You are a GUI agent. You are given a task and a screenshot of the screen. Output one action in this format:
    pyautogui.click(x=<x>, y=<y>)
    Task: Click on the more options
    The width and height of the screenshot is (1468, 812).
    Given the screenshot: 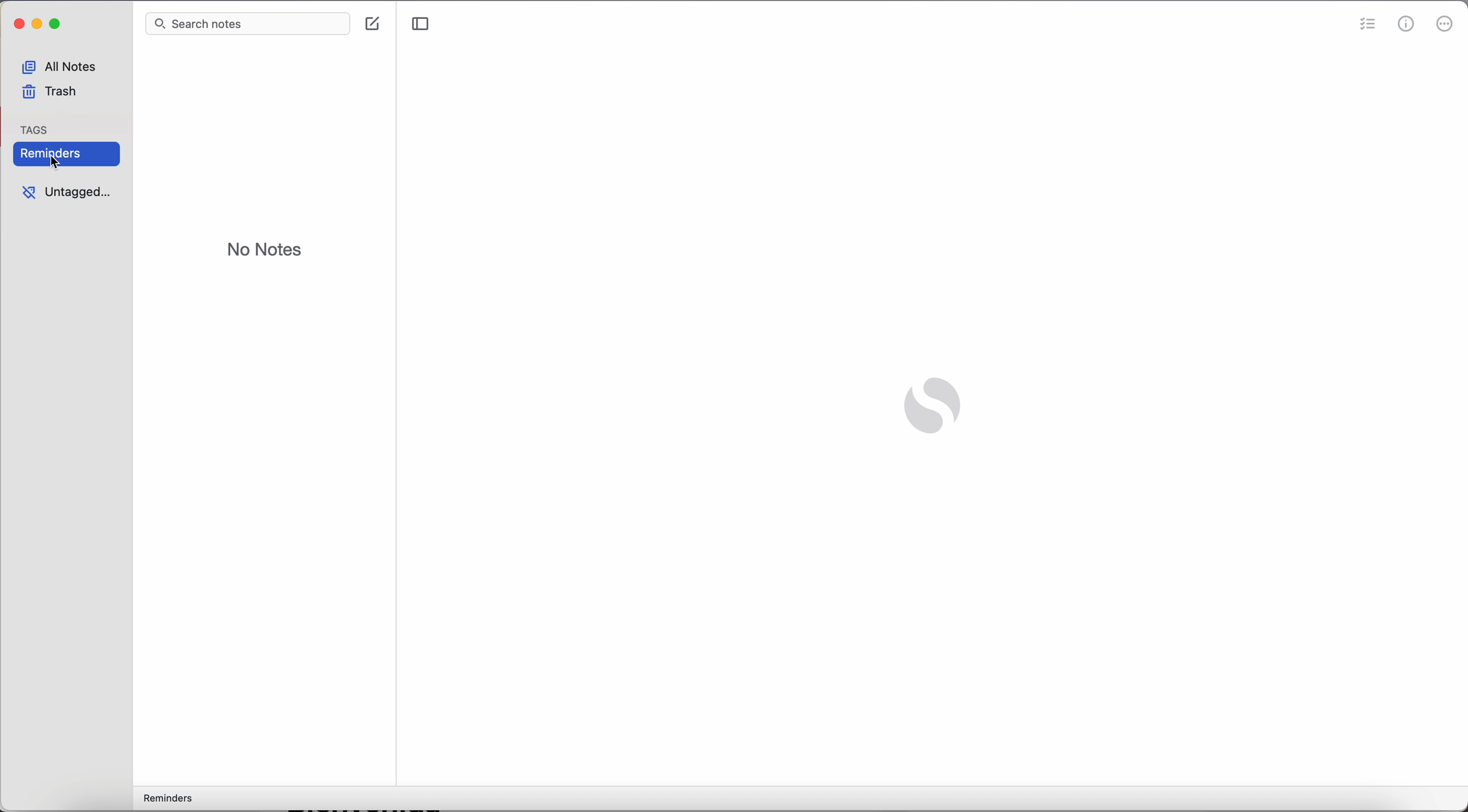 What is the action you would take?
    pyautogui.click(x=1446, y=26)
    